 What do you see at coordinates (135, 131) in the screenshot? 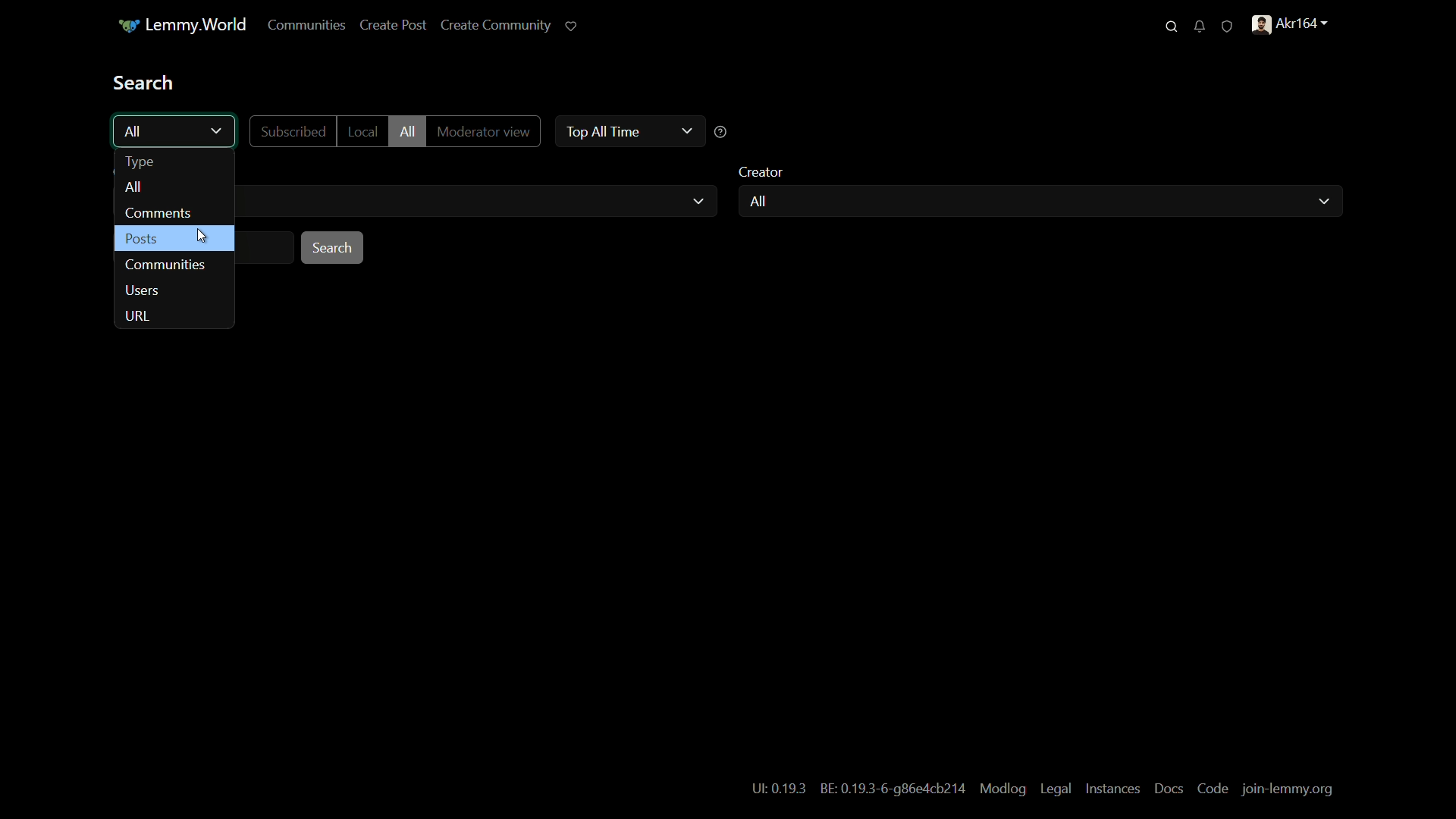
I see `all` at bounding box center [135, 131].